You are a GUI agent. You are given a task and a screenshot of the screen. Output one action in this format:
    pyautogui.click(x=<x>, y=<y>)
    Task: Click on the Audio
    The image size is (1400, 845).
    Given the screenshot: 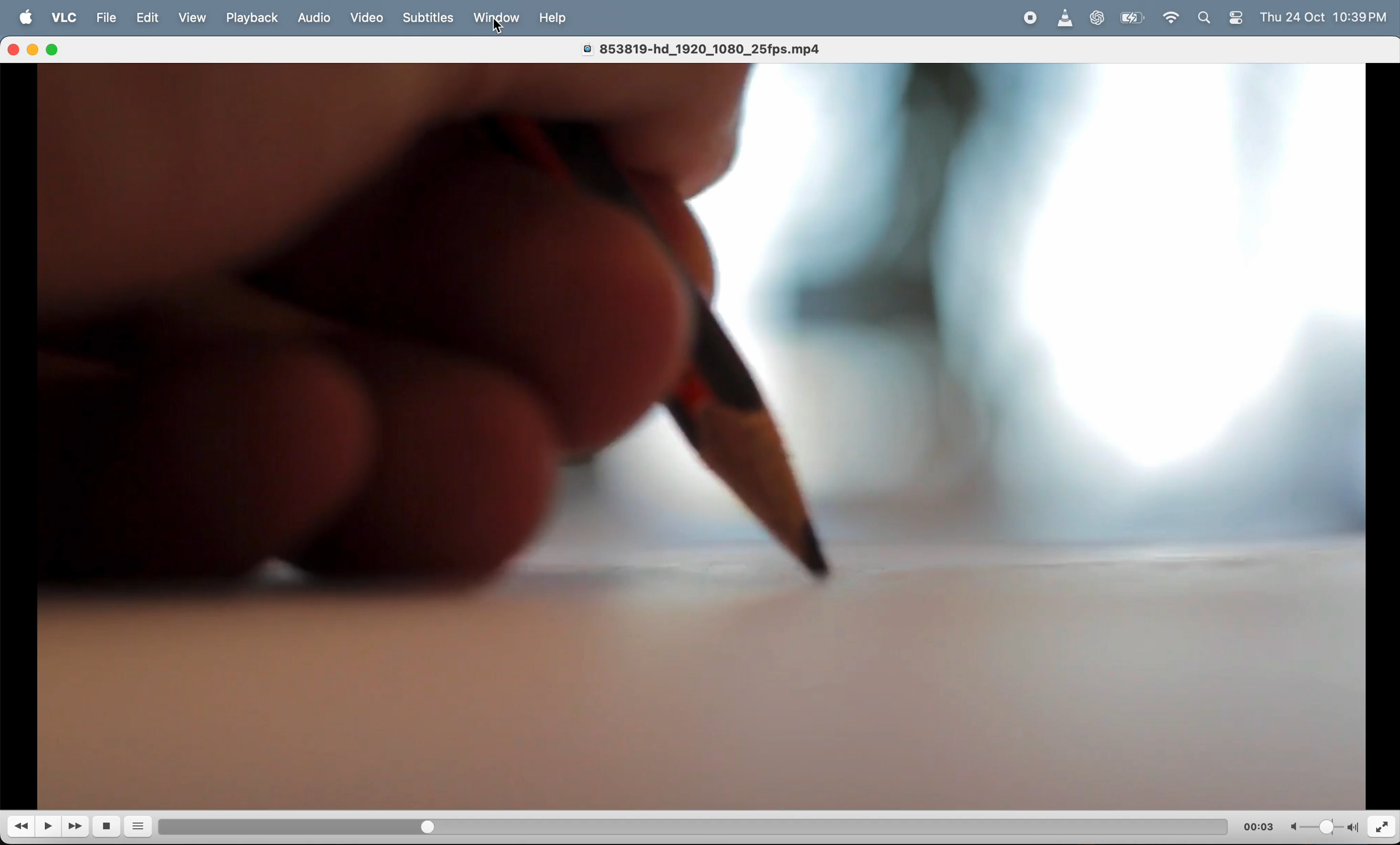 What is the action you would take?
    pyautogui.click(x=315, y=19)
    